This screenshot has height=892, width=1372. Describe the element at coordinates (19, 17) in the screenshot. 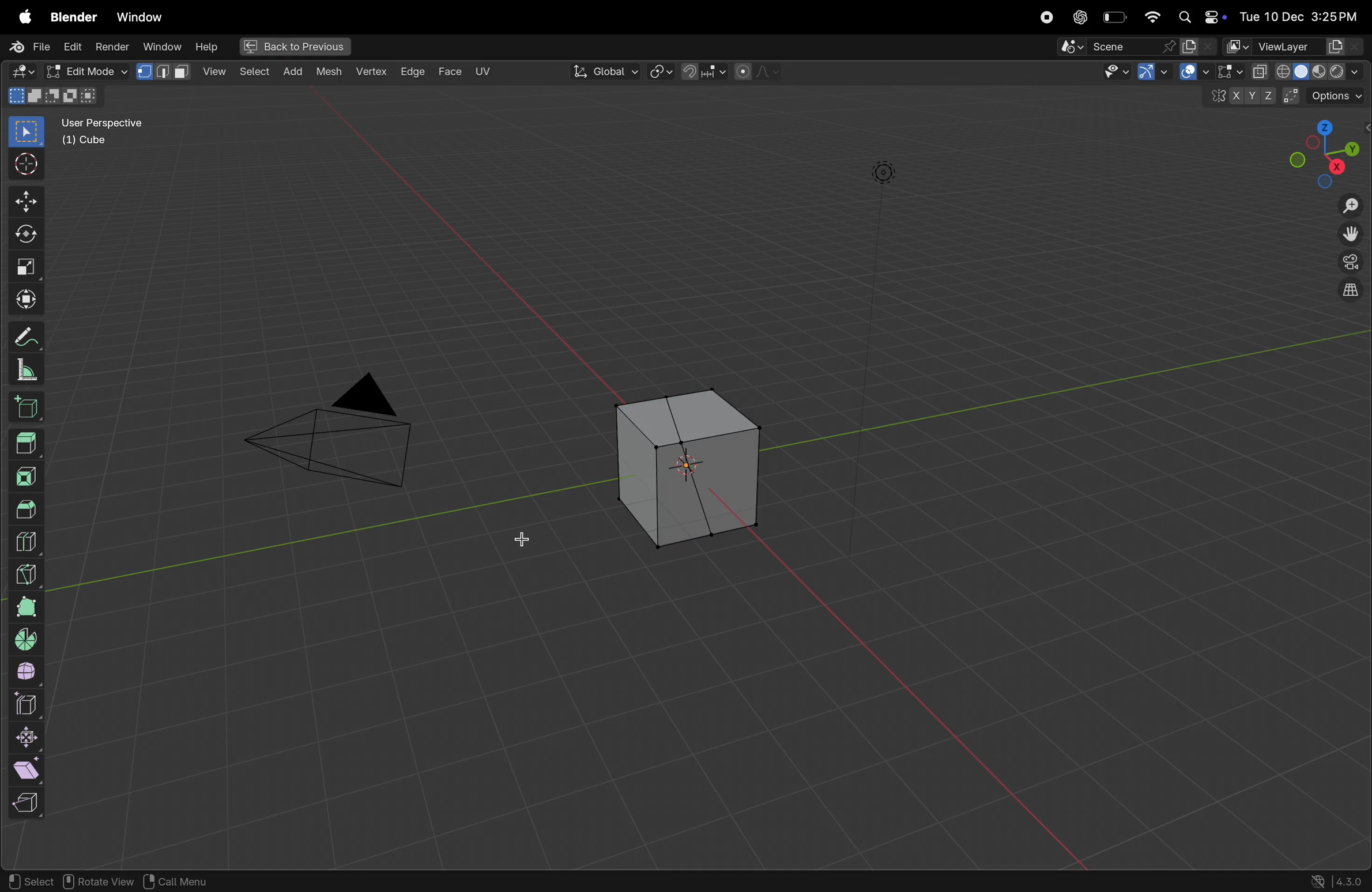

I see `Apple menu` at that location.